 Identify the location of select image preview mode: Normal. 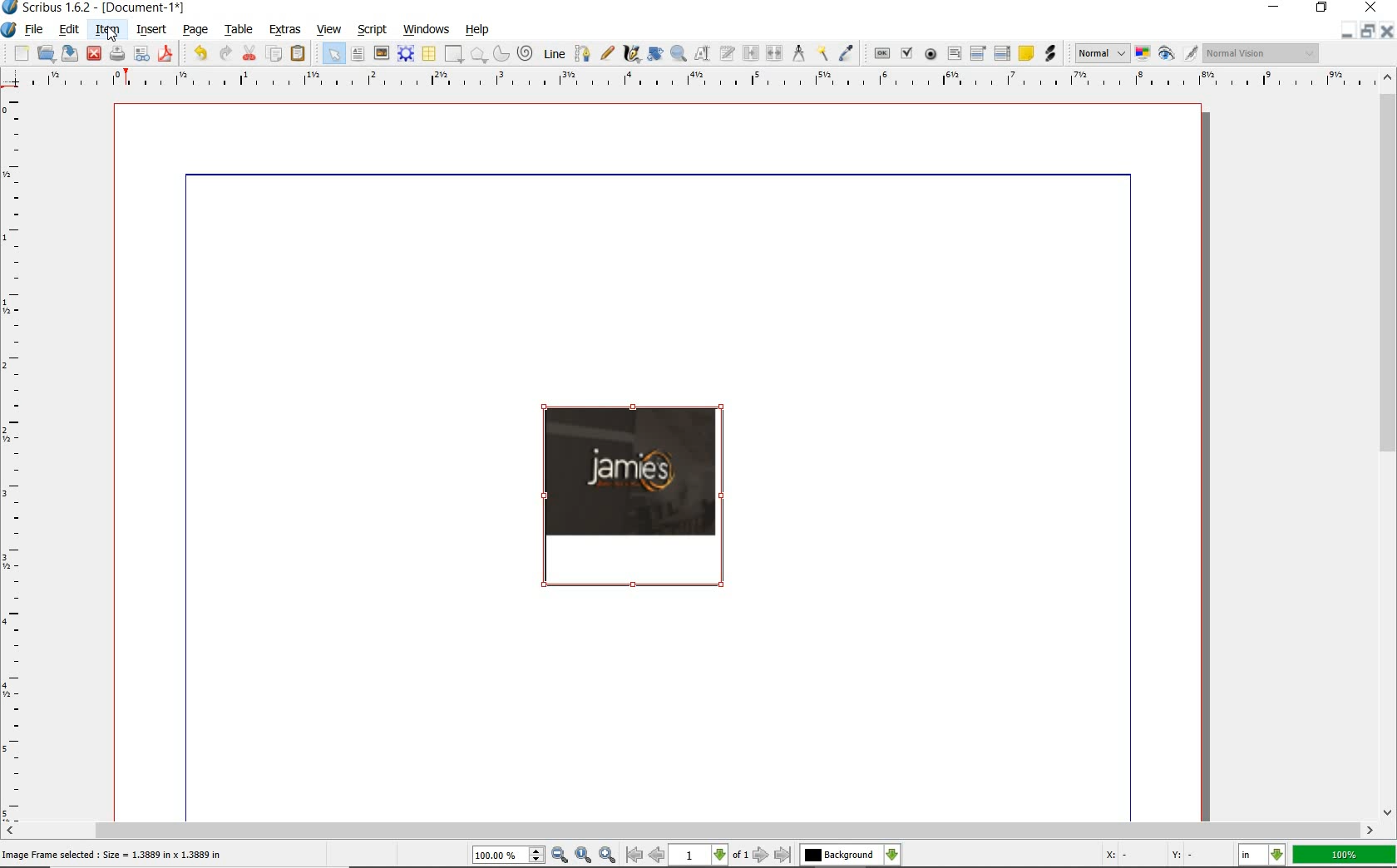
(1101, 53).